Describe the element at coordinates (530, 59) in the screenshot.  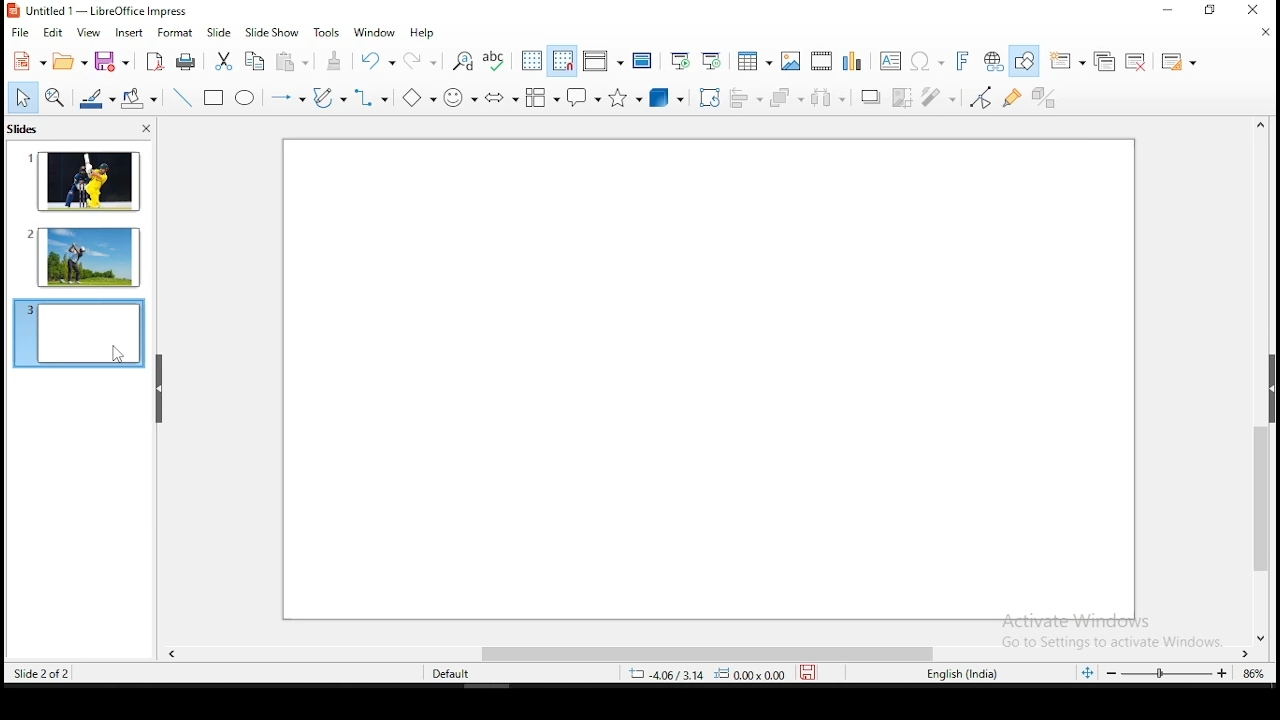
I see `display grid` at that location.